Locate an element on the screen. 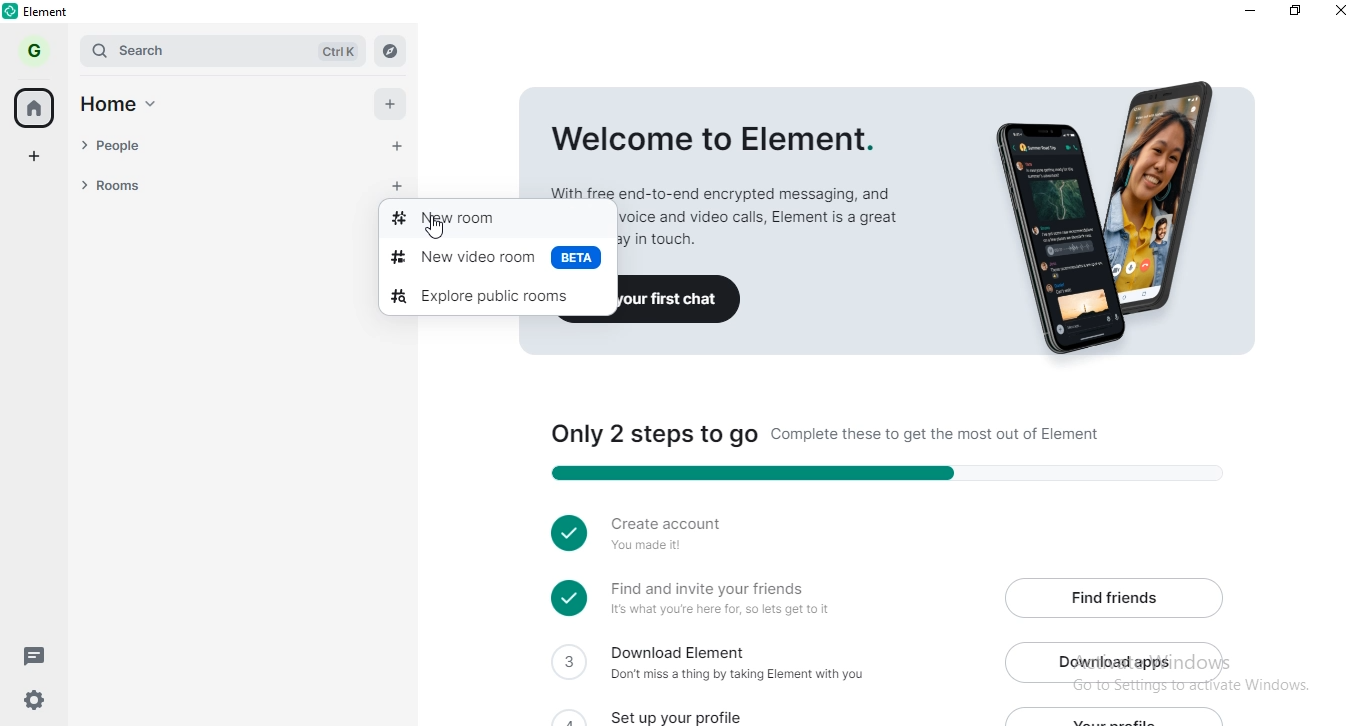  search  is located at coordinates (222, 51).